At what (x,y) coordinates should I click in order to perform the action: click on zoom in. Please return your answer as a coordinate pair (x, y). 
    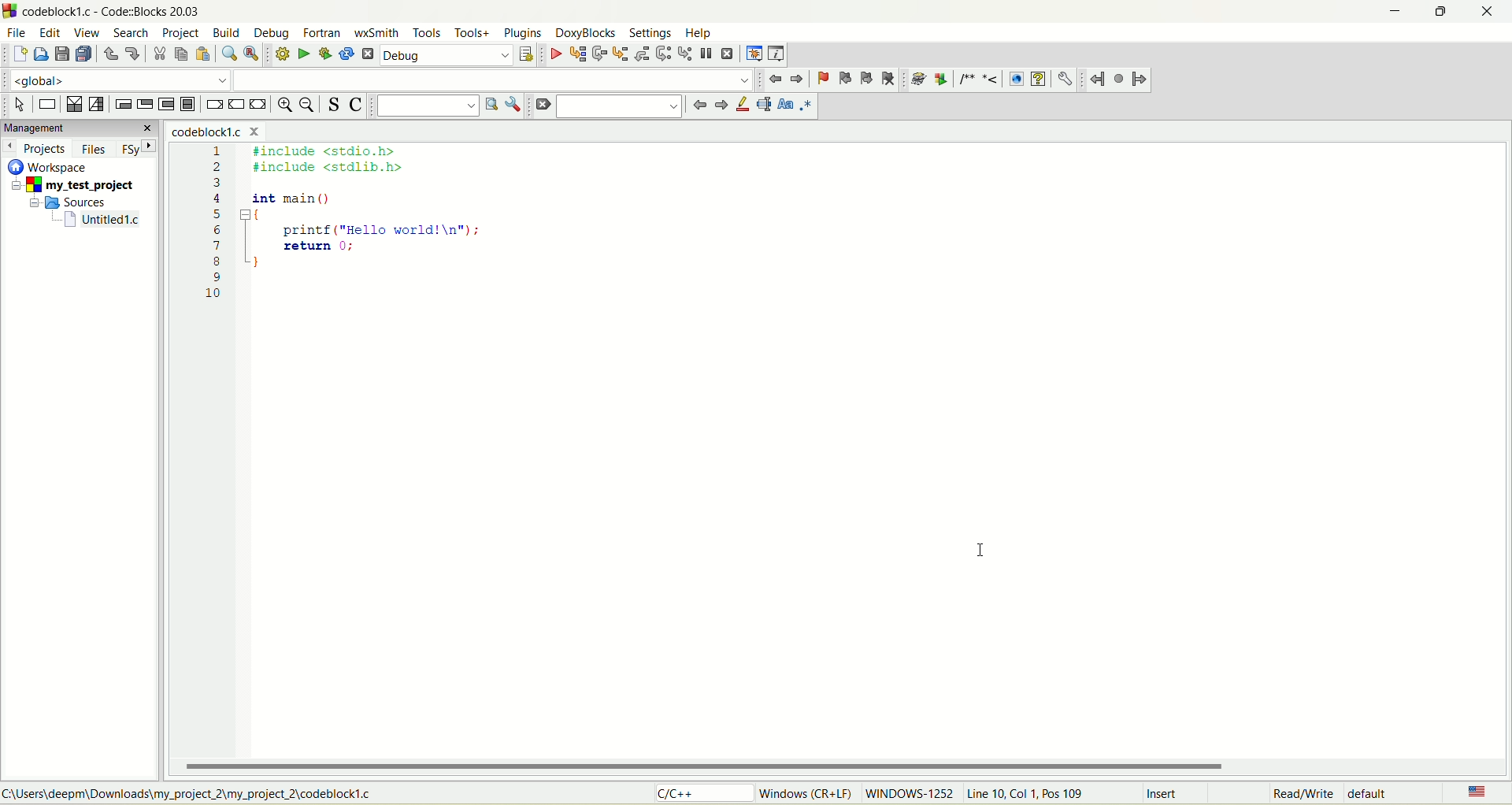
    Looking at the image, I should click on (283, 106).